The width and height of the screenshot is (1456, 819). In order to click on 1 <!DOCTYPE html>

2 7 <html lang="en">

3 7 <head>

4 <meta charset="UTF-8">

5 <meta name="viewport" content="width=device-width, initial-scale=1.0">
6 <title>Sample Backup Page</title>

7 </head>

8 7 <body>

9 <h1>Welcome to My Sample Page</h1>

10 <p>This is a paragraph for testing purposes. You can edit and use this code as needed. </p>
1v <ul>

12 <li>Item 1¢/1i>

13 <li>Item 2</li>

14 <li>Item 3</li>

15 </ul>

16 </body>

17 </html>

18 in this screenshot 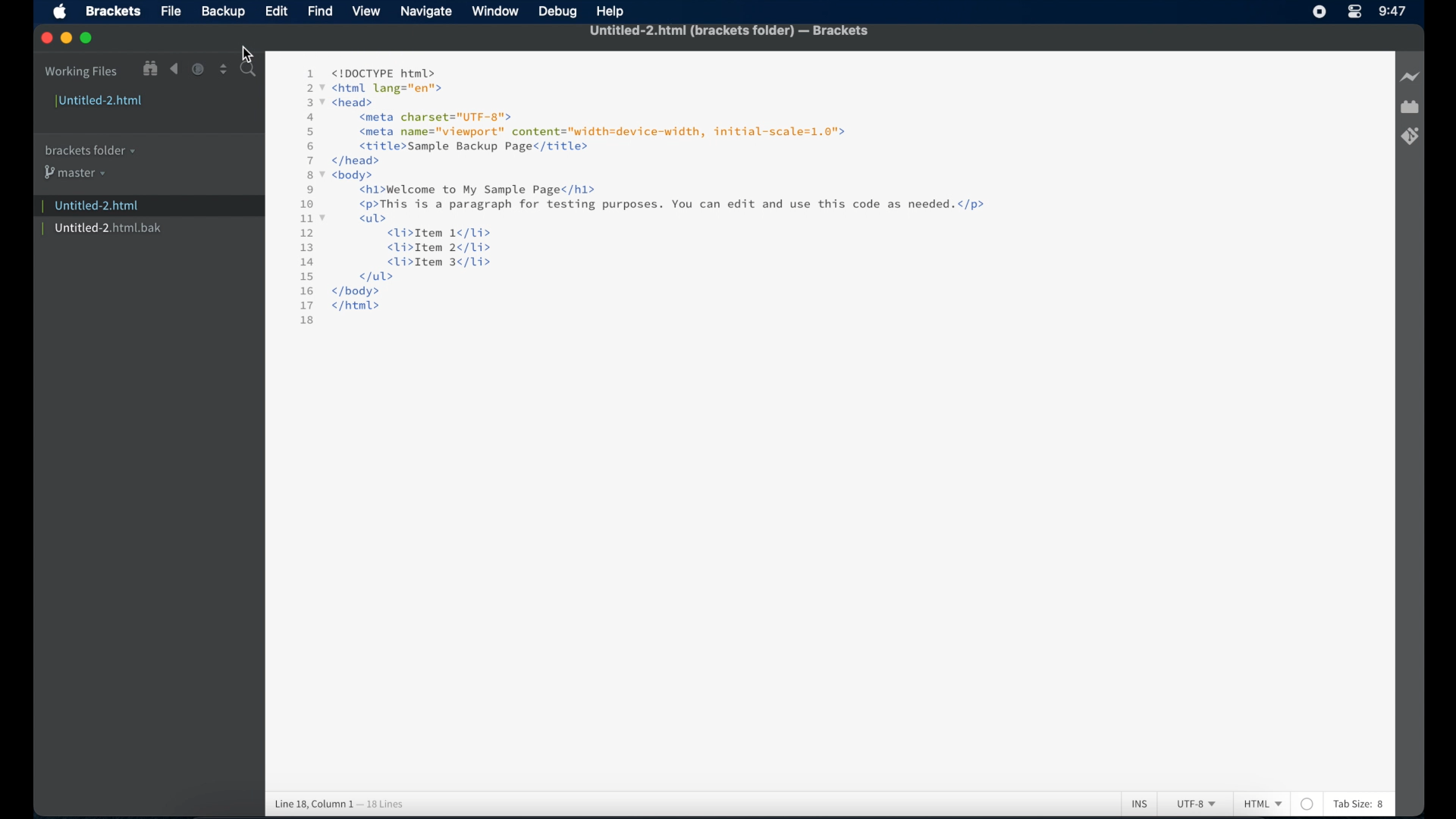, I will do `click(644, 196)`.